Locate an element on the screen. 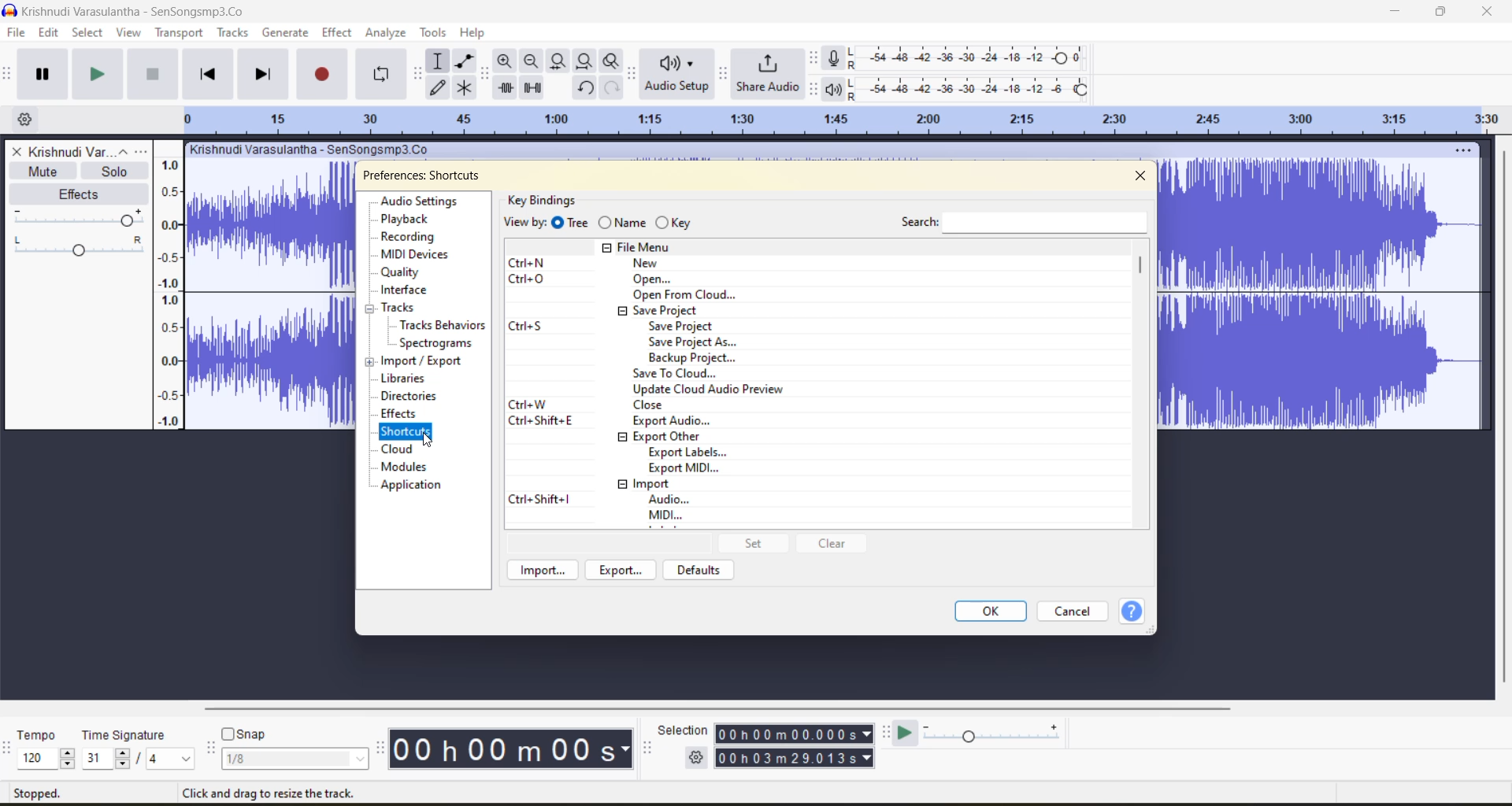 This screenshot has width=1512, height=806. zoom in is located at coordinates (505, 61).